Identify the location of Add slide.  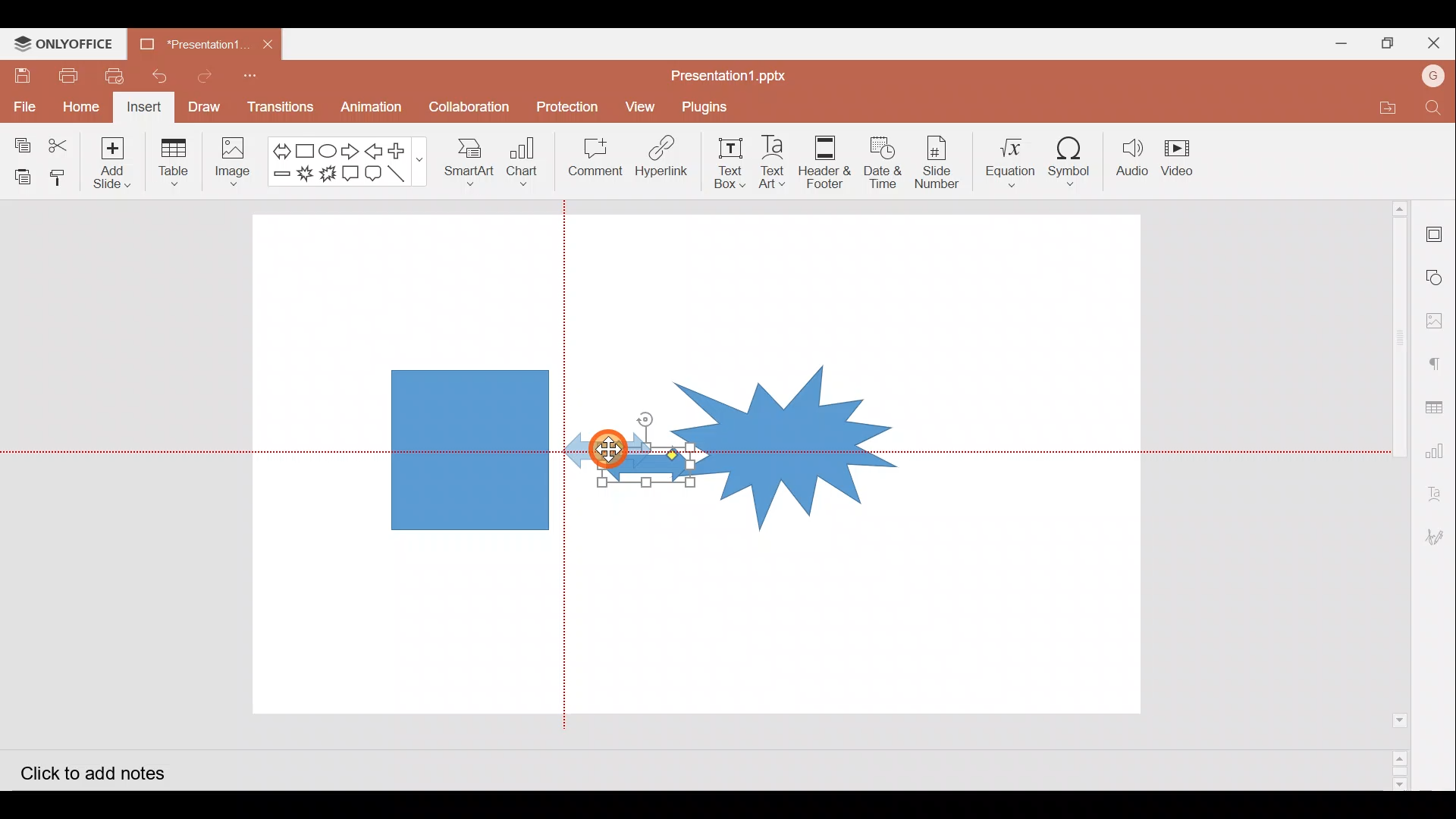
(119, 163).